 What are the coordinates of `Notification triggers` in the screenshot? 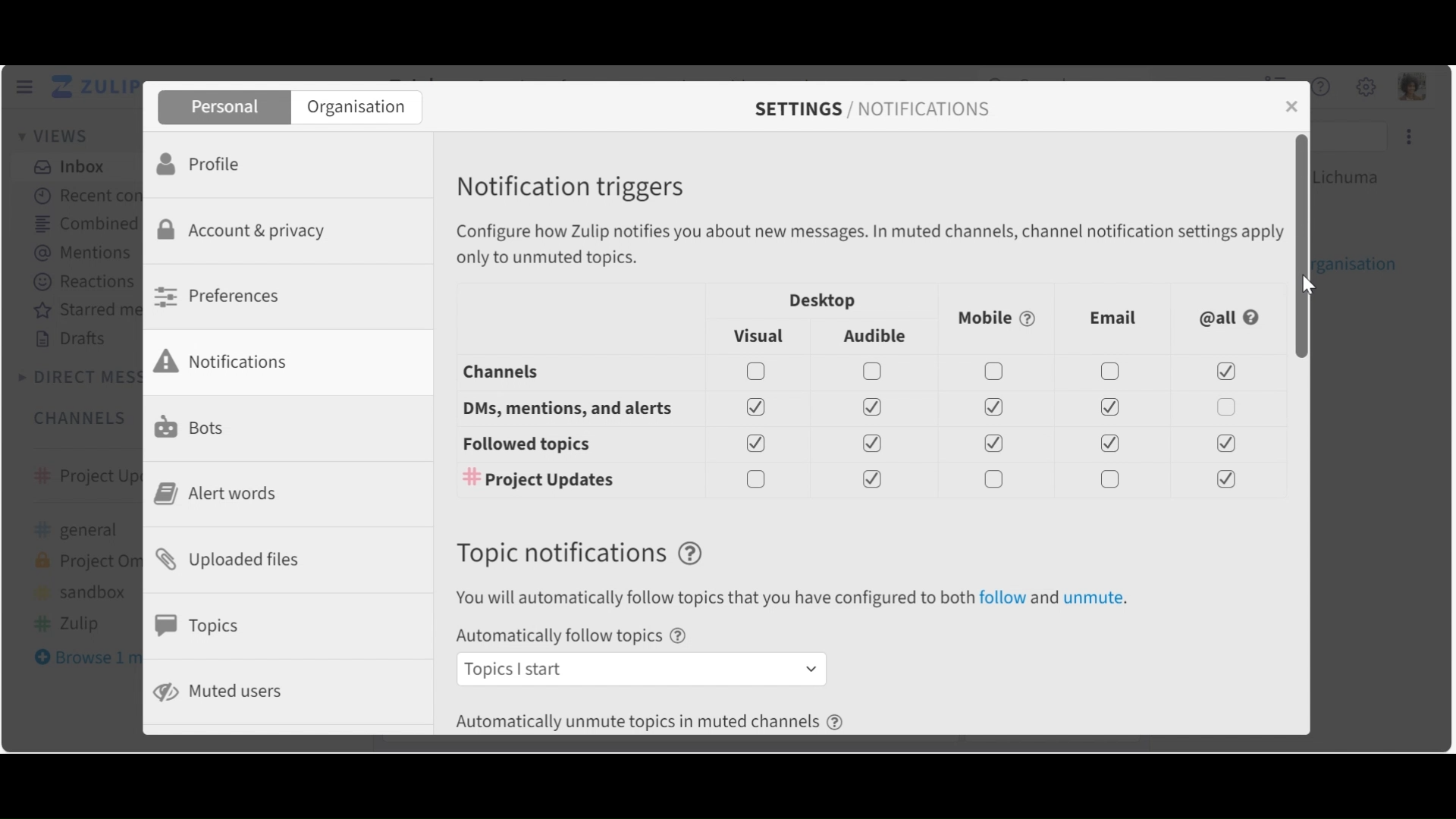 It's located at (574, 188).